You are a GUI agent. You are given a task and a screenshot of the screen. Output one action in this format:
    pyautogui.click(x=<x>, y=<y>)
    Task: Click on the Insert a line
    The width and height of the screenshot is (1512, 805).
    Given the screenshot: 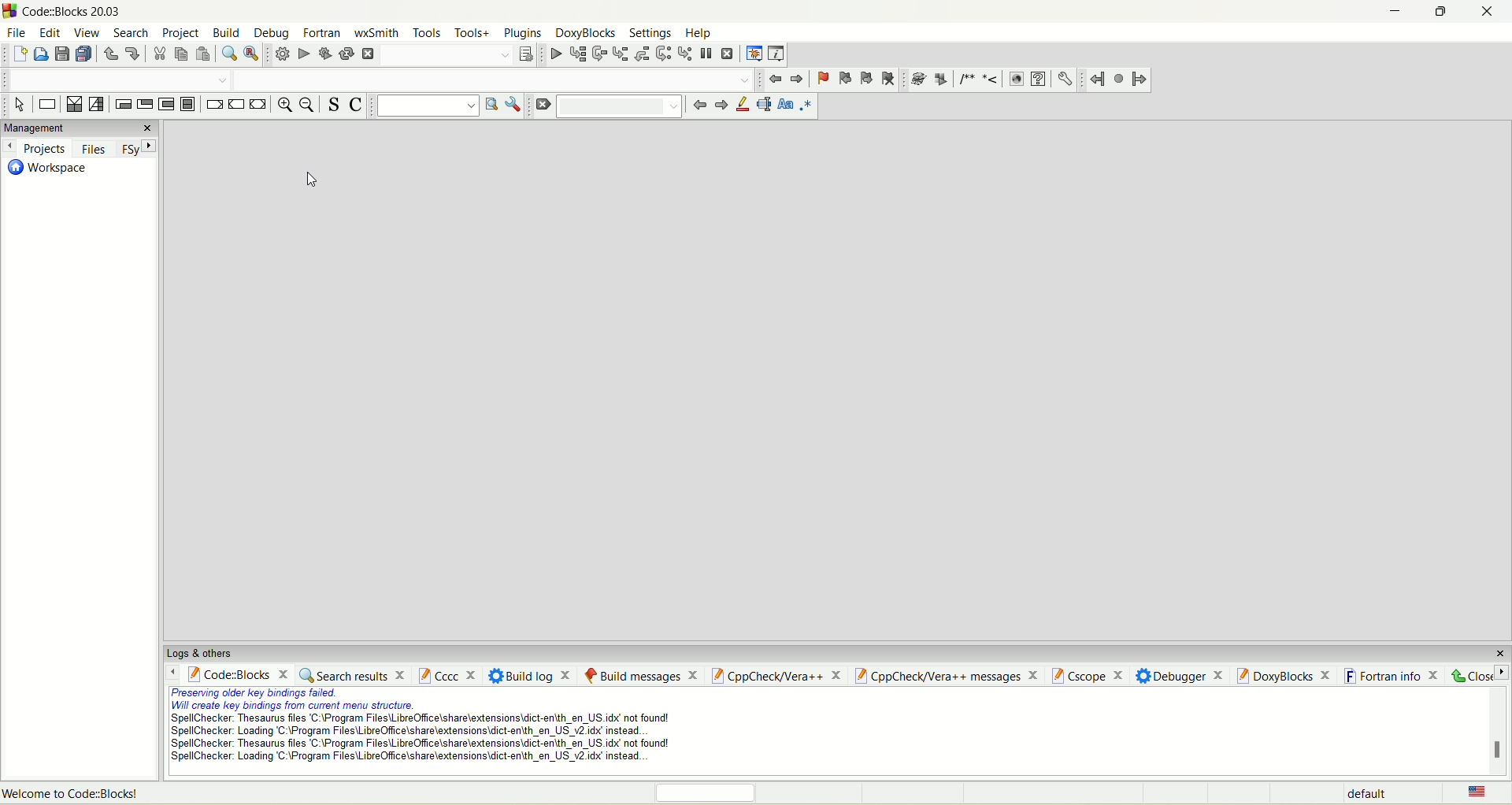 What is the action you would take?
    pyautogui.click(x=991, y=80)
    